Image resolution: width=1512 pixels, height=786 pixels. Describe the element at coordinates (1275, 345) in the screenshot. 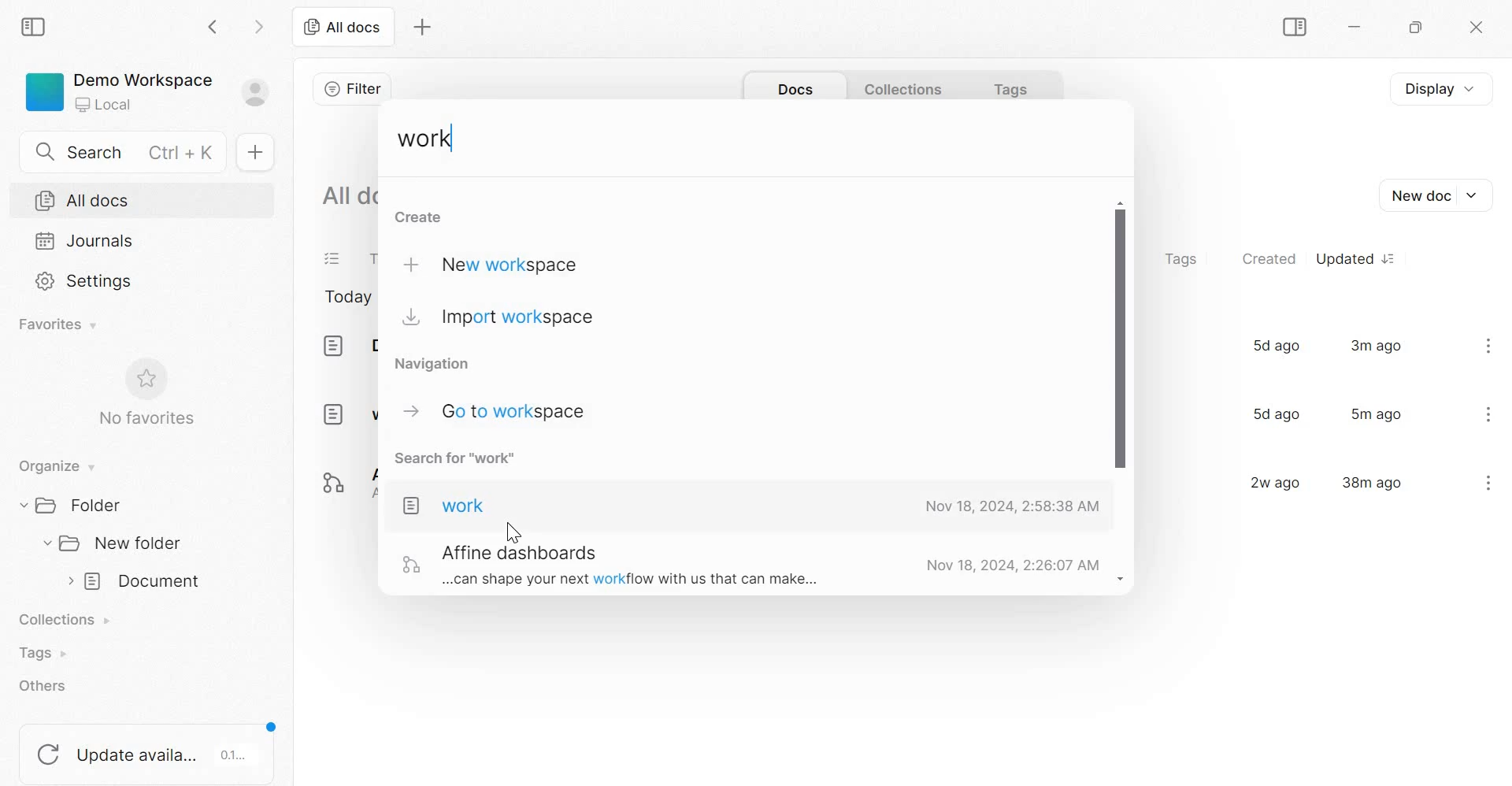

I see `5d ago` at that location.